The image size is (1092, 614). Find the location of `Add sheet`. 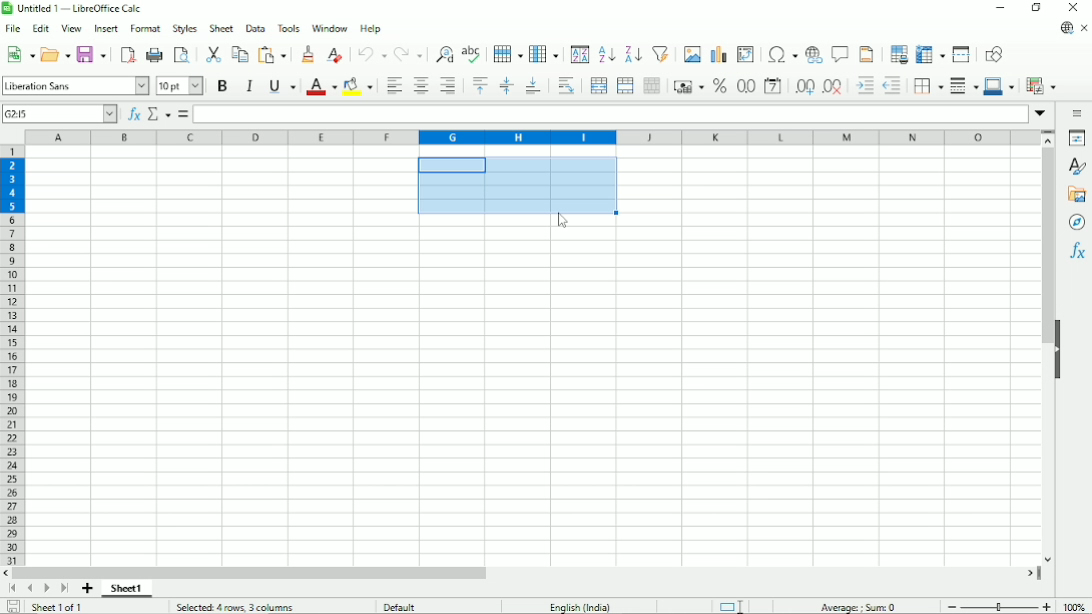

Add sheet is located at coordinates (88, 589).